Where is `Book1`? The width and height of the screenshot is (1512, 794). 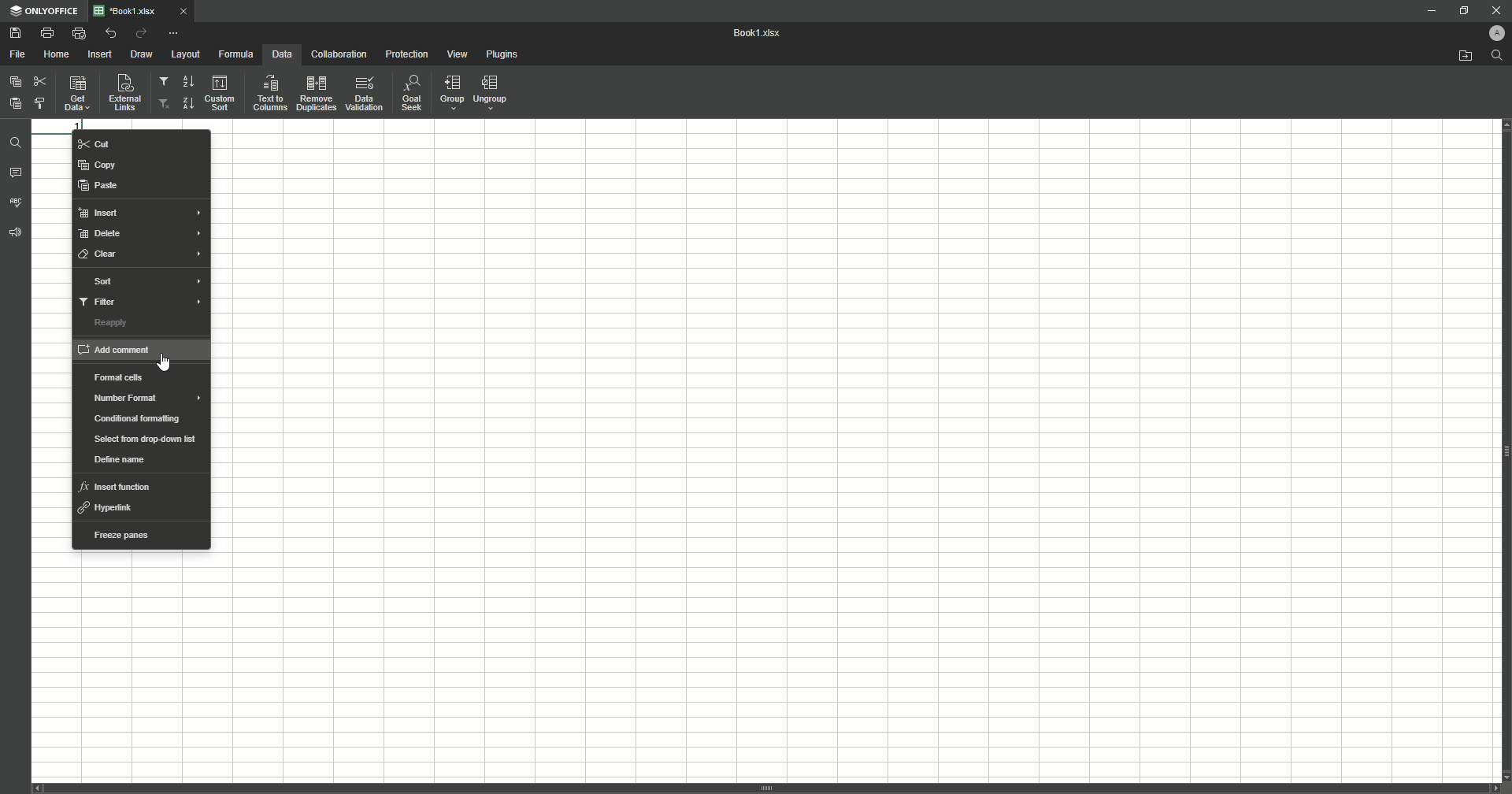 Book1 is located at coordinates (762, 34).